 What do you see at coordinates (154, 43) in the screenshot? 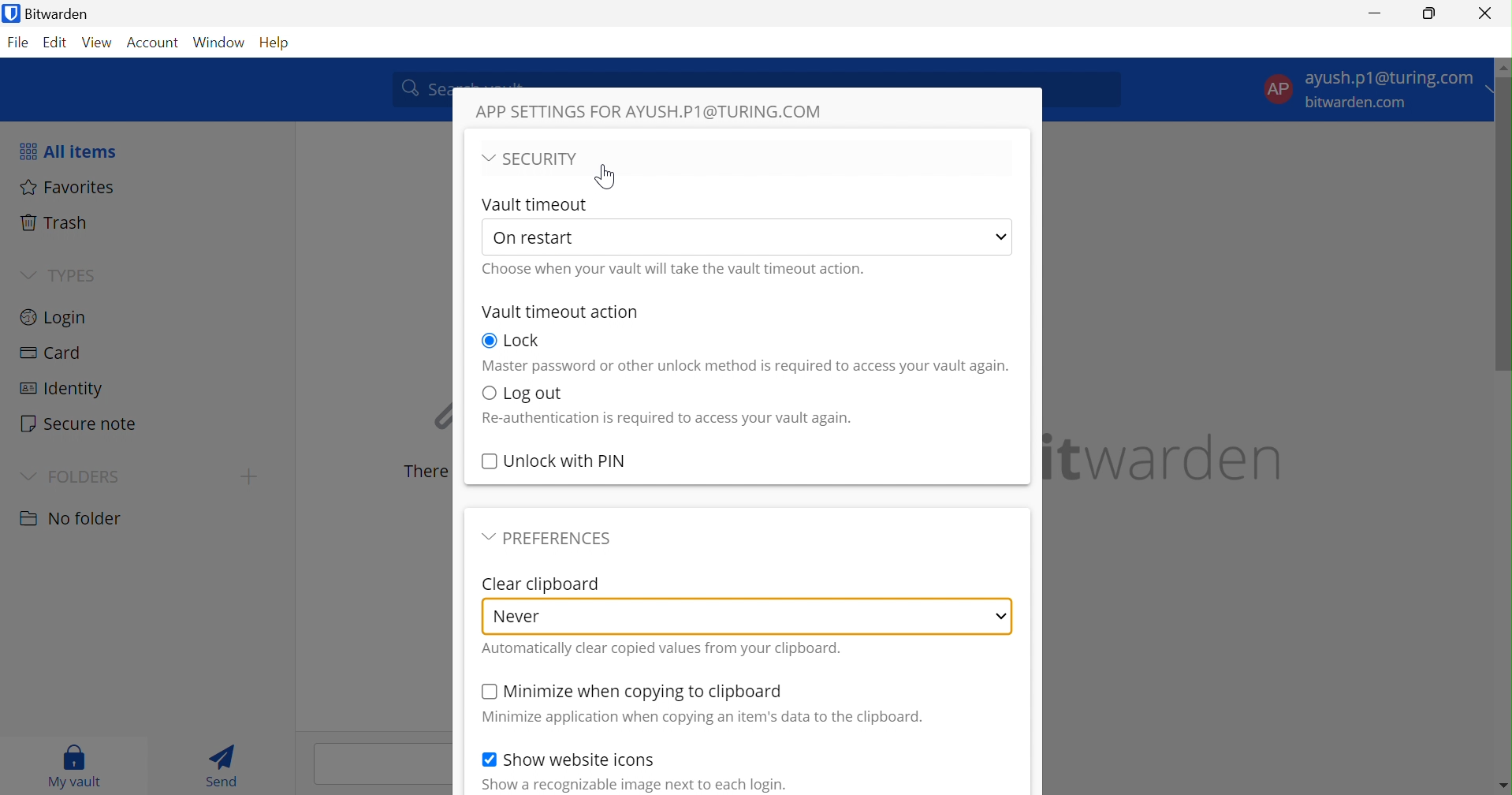
I see `Account` at bounding box center [154, 43].